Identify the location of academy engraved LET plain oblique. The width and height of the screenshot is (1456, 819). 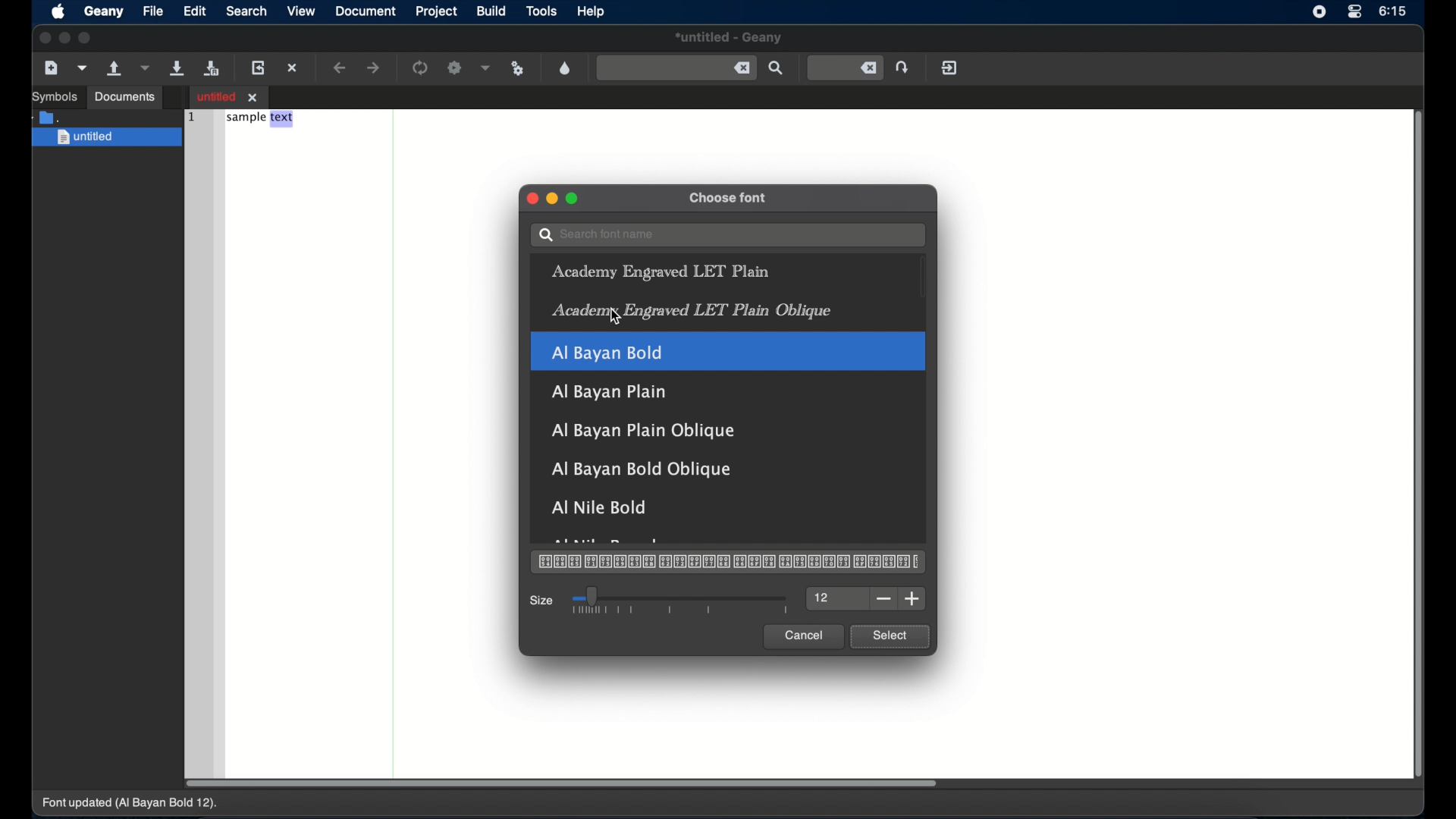
(692, 312).